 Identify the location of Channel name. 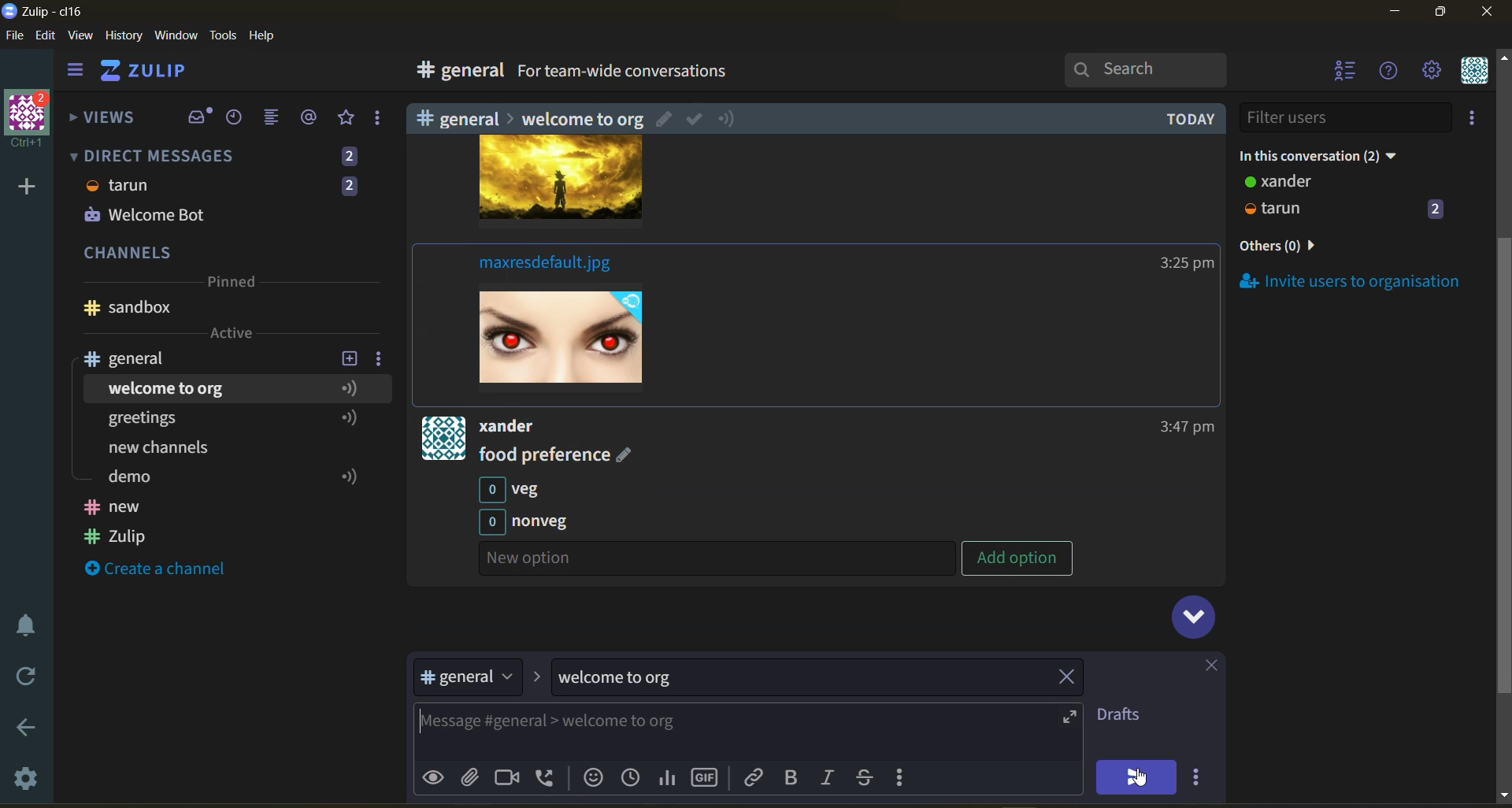
(128, 308).